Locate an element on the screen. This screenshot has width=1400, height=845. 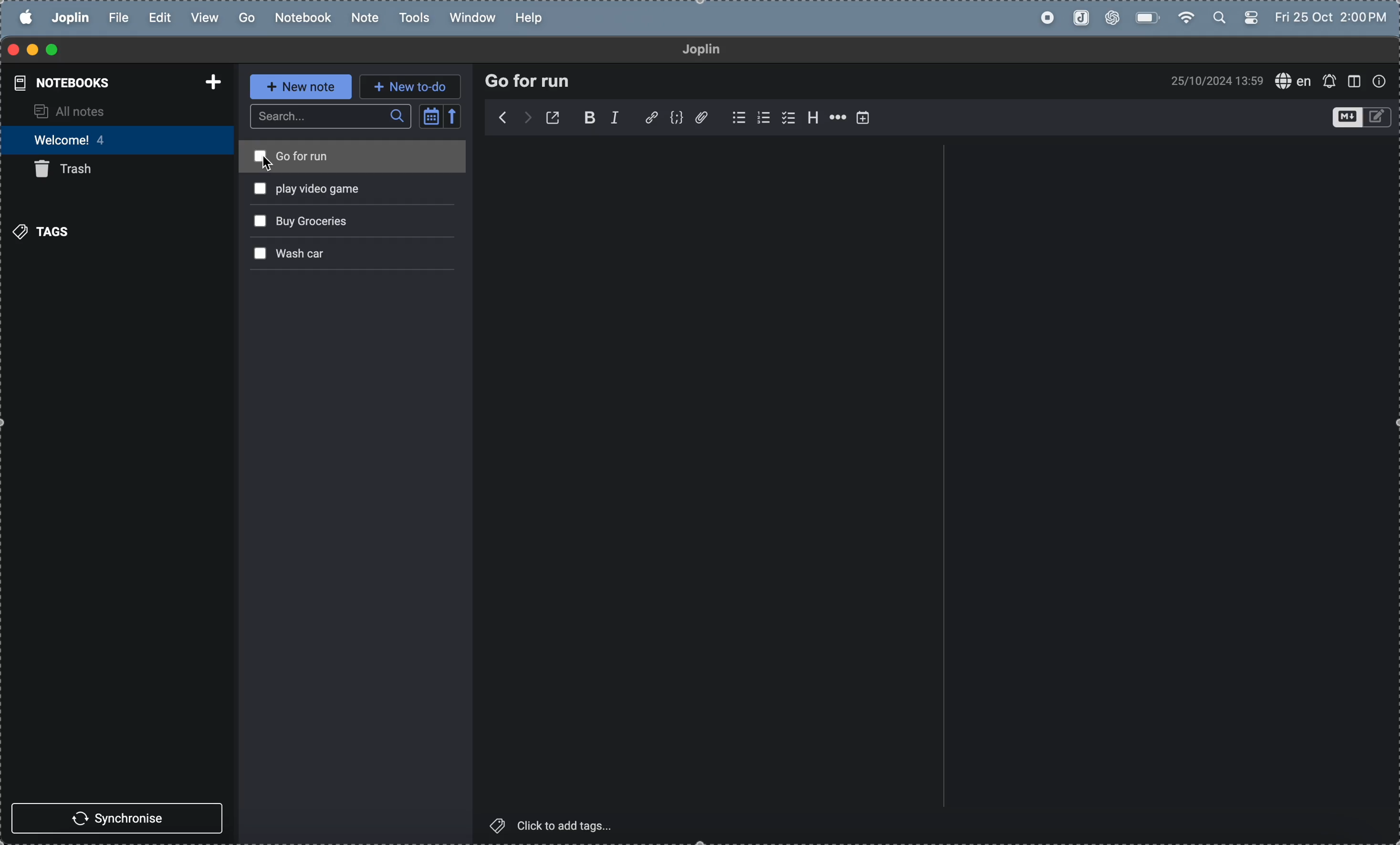
all notes is located at coordinates (103, 109).